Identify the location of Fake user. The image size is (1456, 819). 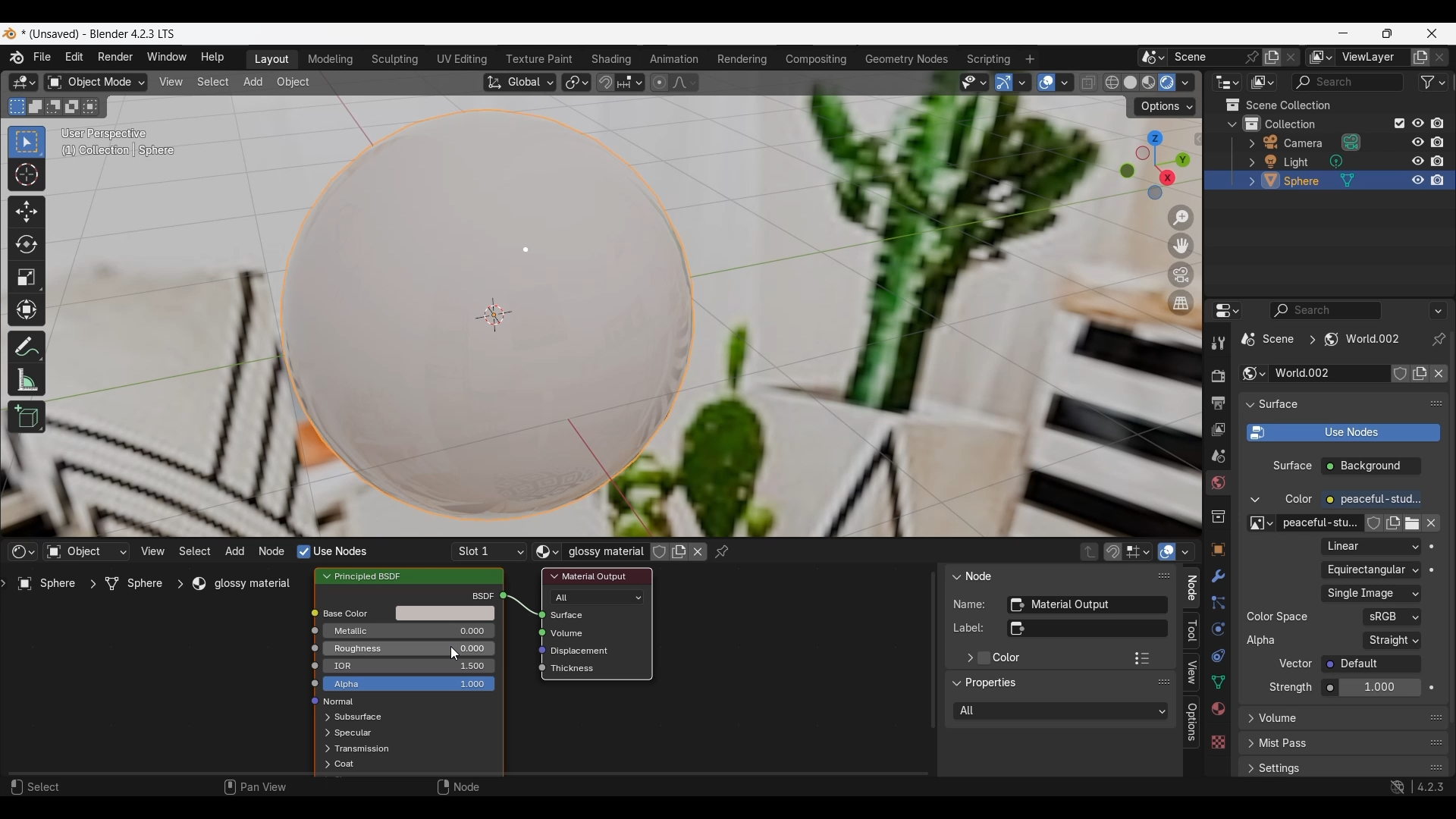
(1374, 523).